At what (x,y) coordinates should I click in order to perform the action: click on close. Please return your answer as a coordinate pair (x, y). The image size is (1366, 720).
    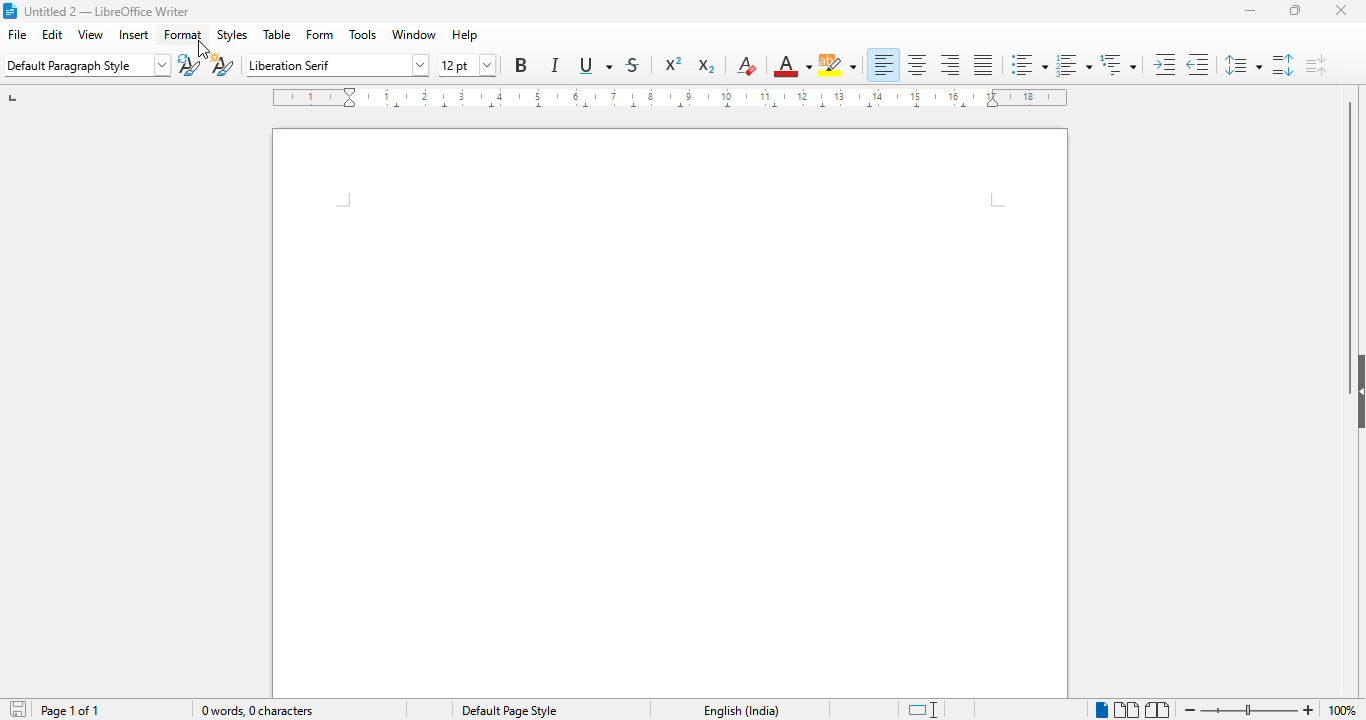
    Looking at the image, I should click on (1340, 10).